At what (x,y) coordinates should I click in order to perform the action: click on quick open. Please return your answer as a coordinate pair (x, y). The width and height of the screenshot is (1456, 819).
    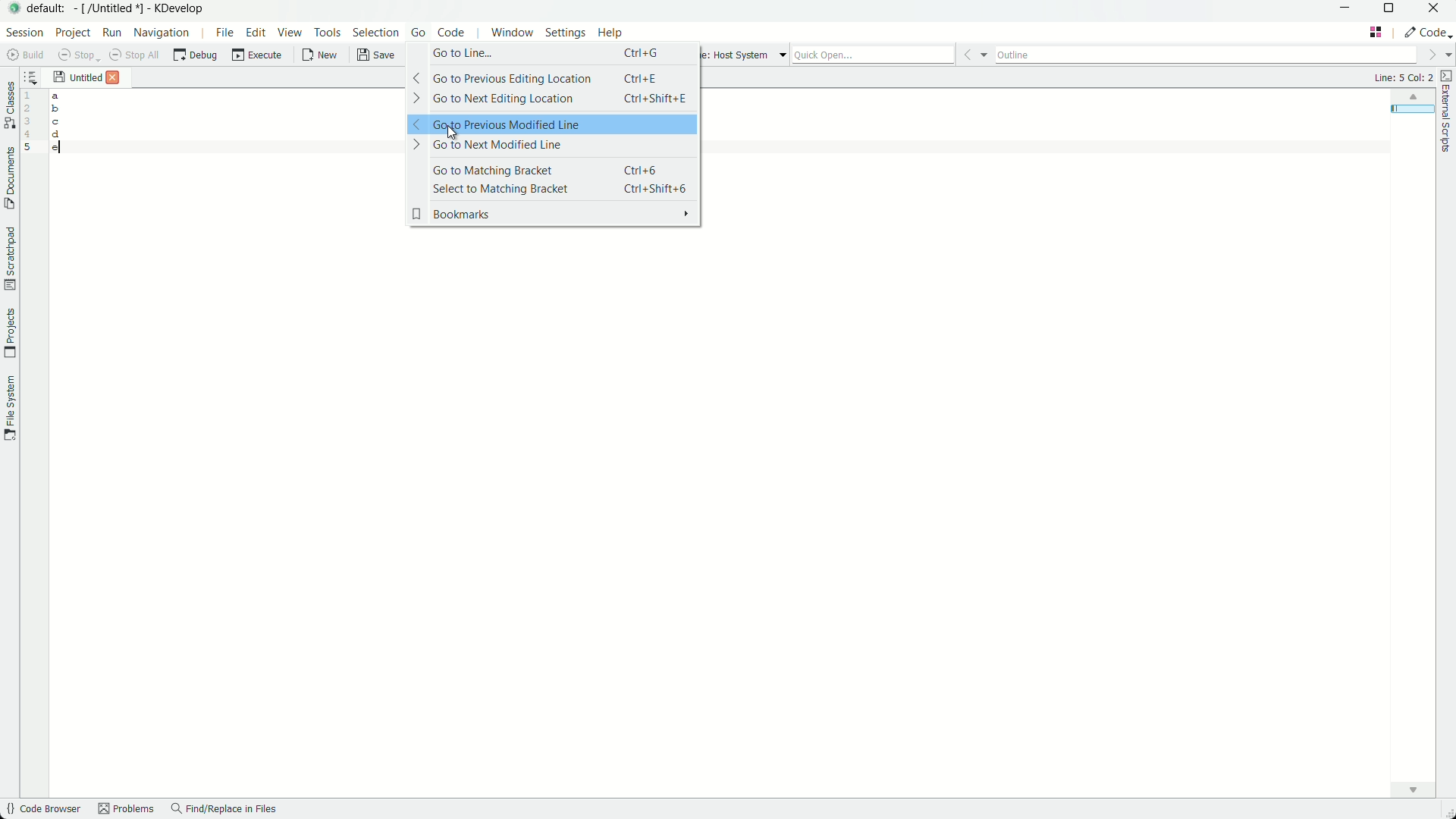
    Looking at the image, I should click on (893, 54).